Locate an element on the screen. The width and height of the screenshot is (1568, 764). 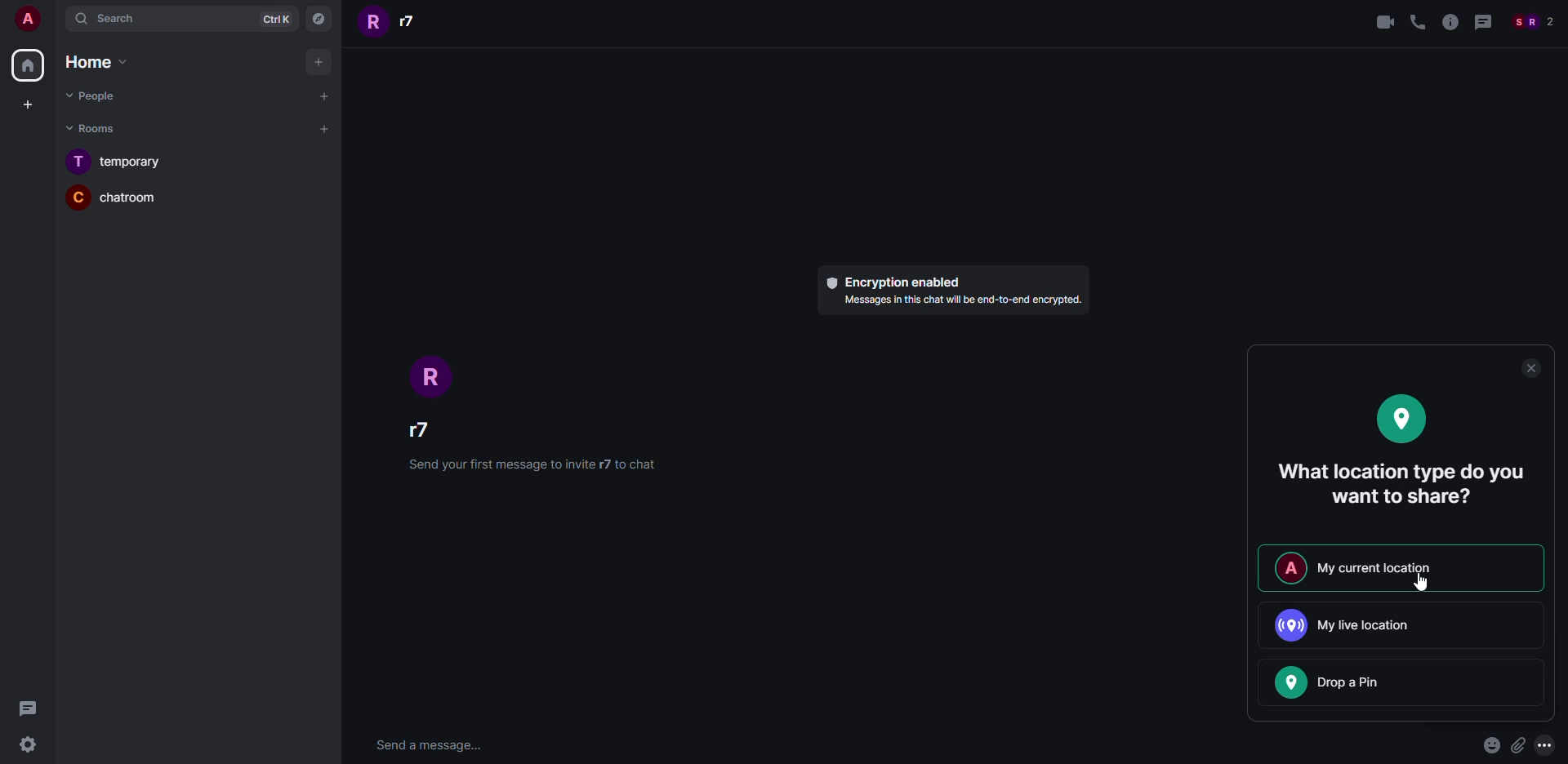
Home is located at coordinates (26, 65).